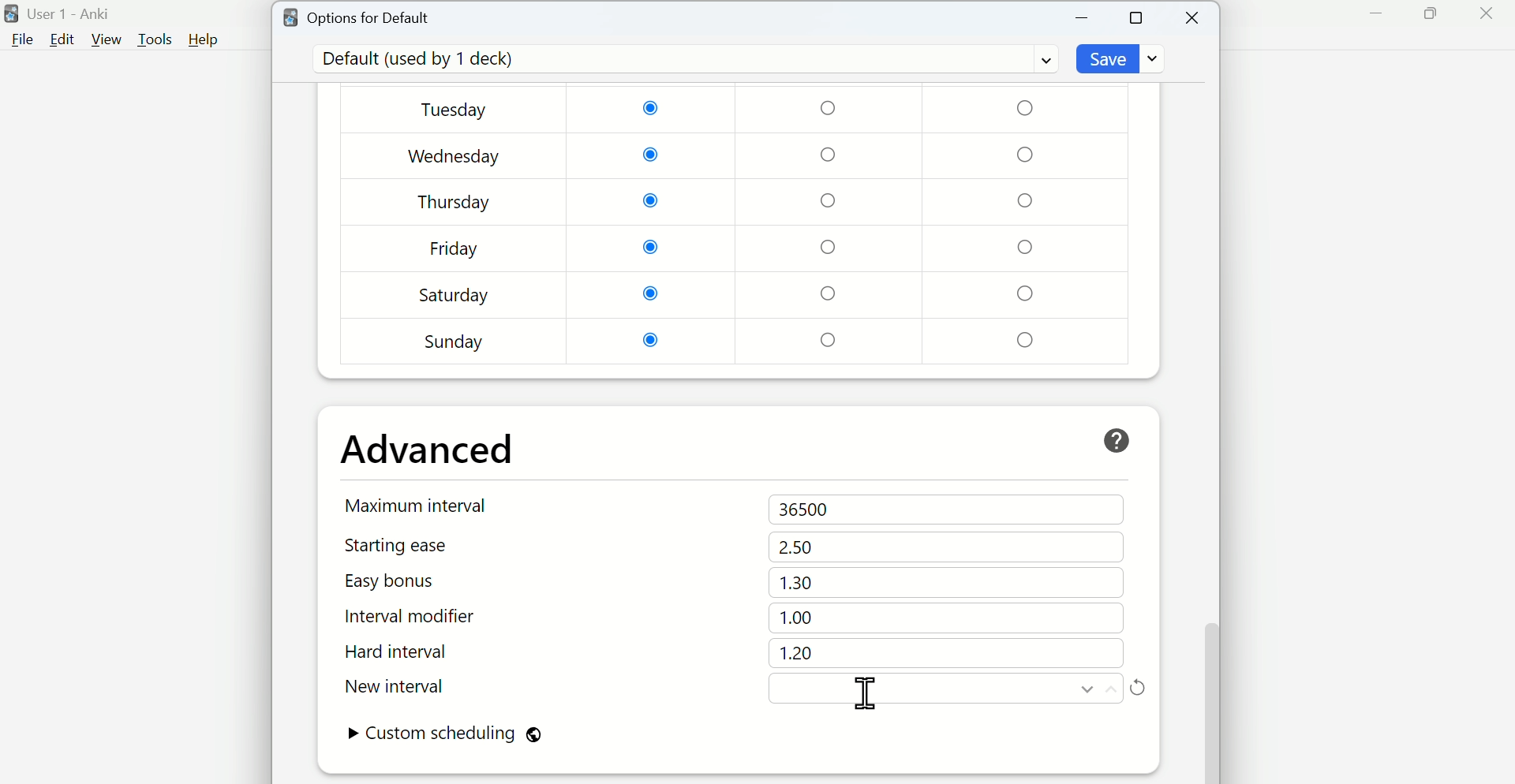  Describe the element at coordinates (454, 202) in the screenshot. I see `Thursday` at that location.